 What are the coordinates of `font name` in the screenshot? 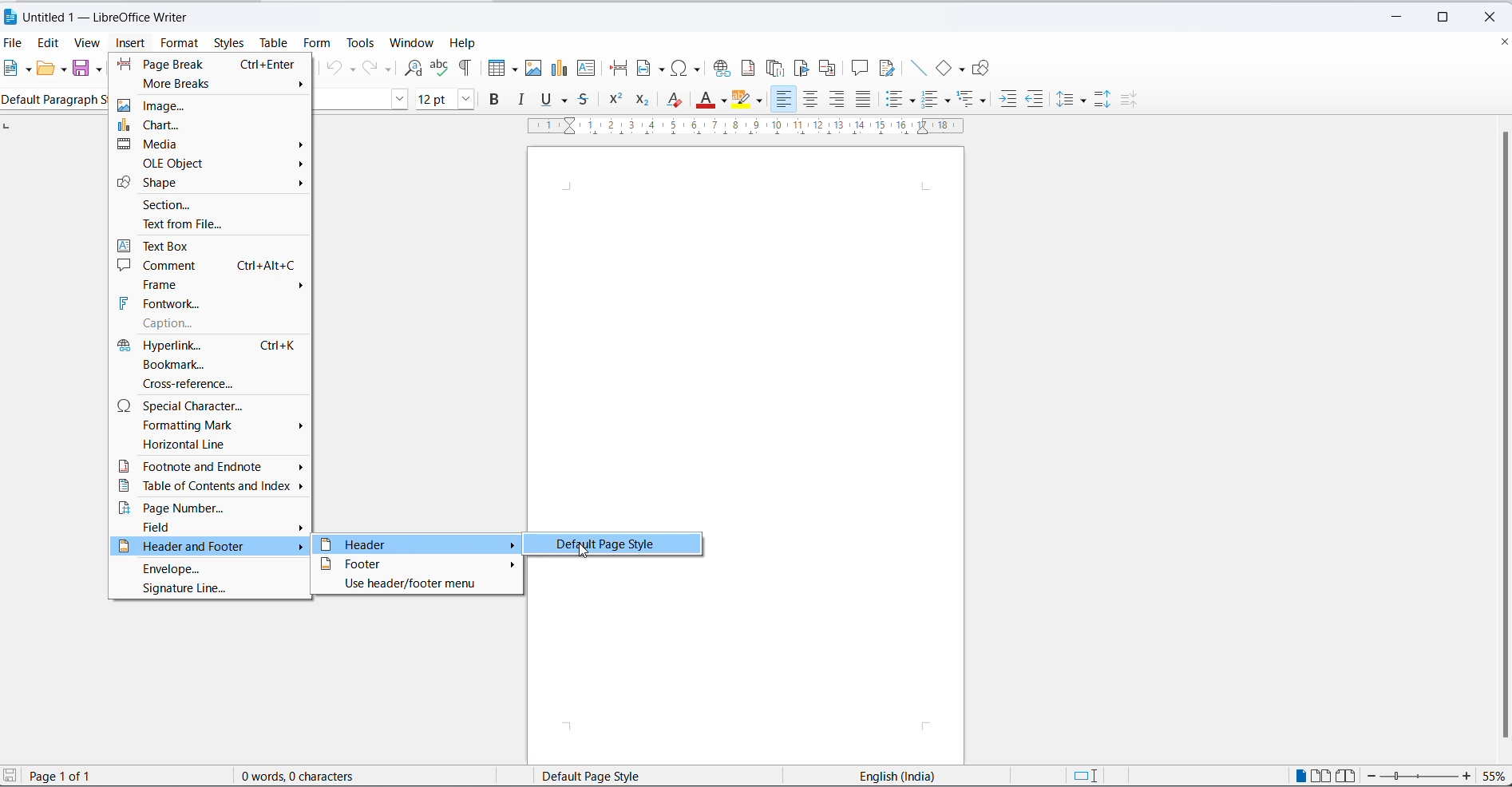 It's located at (350, 98).